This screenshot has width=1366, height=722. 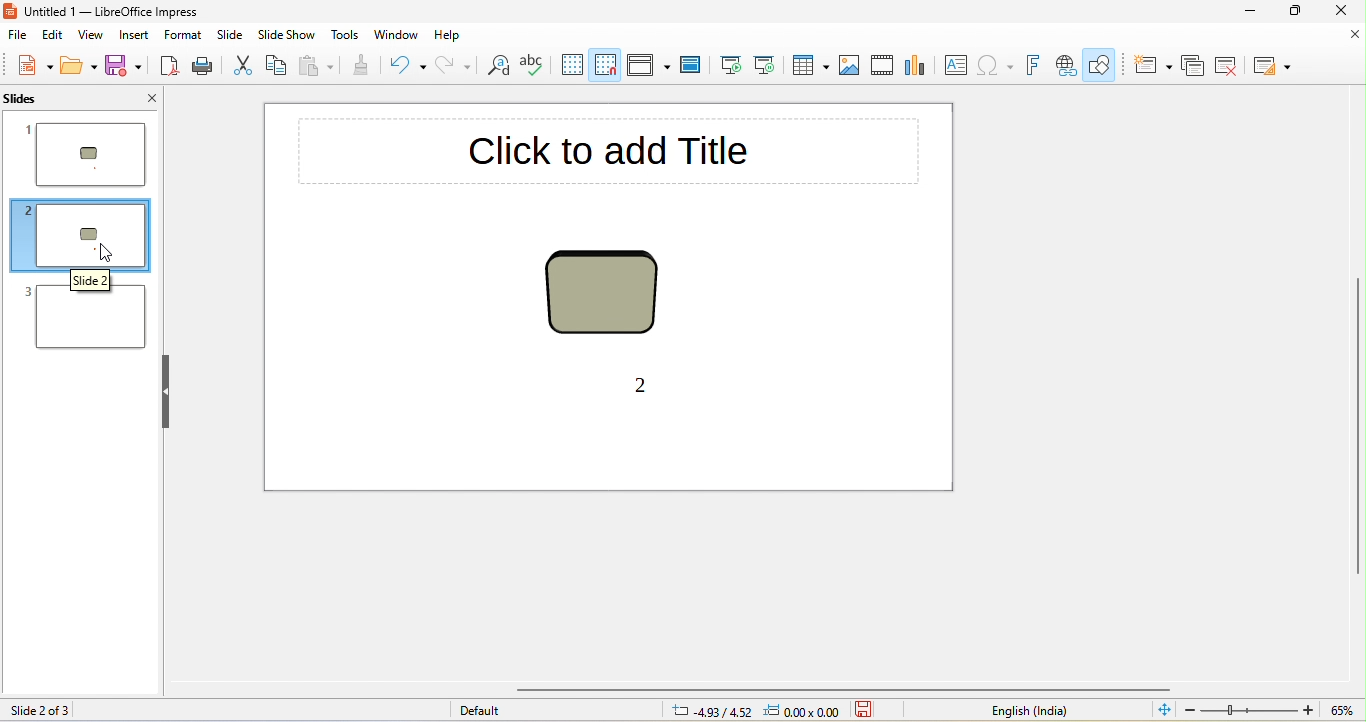 I want to click on display grid, so click(x=570, y=66).